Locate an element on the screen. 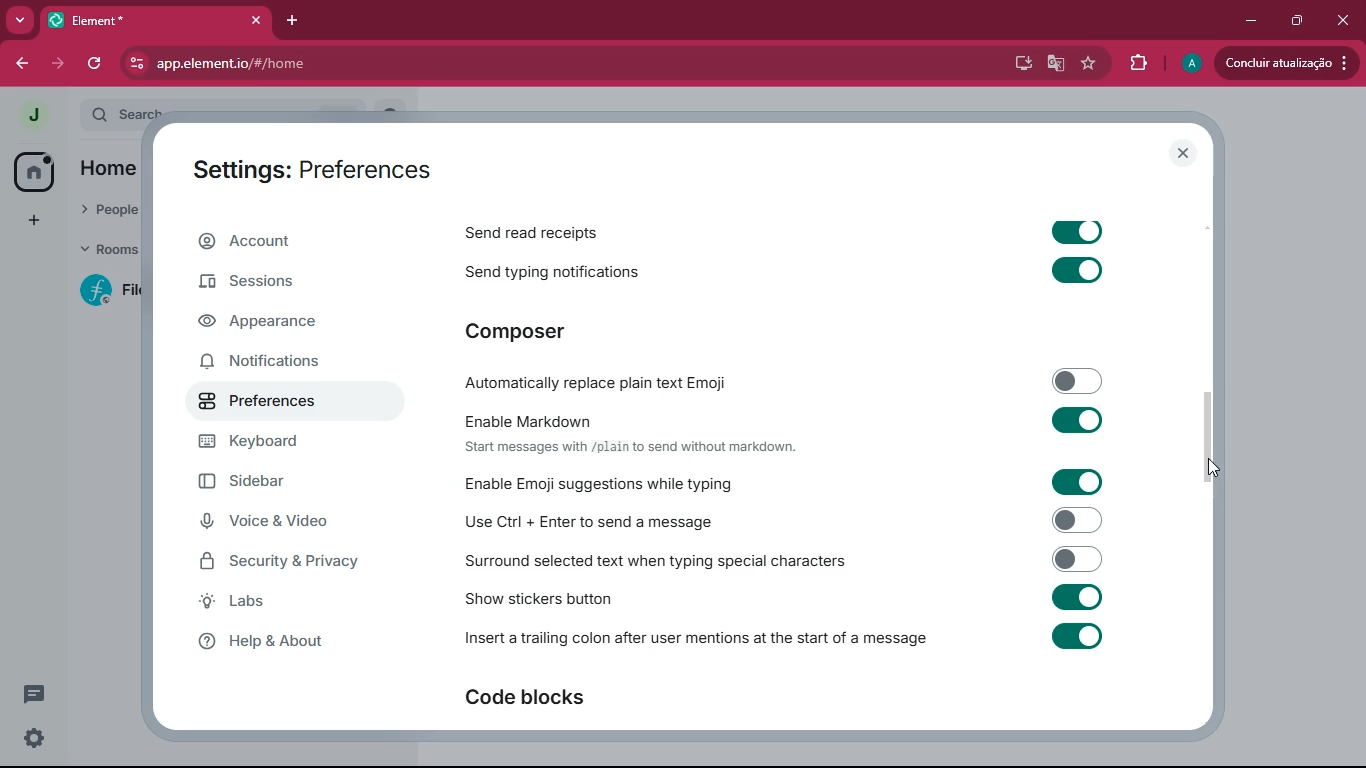 The width and height of the screenshot is (1366, 768). app.element.io/#/home is located at coordinates (410, 64).